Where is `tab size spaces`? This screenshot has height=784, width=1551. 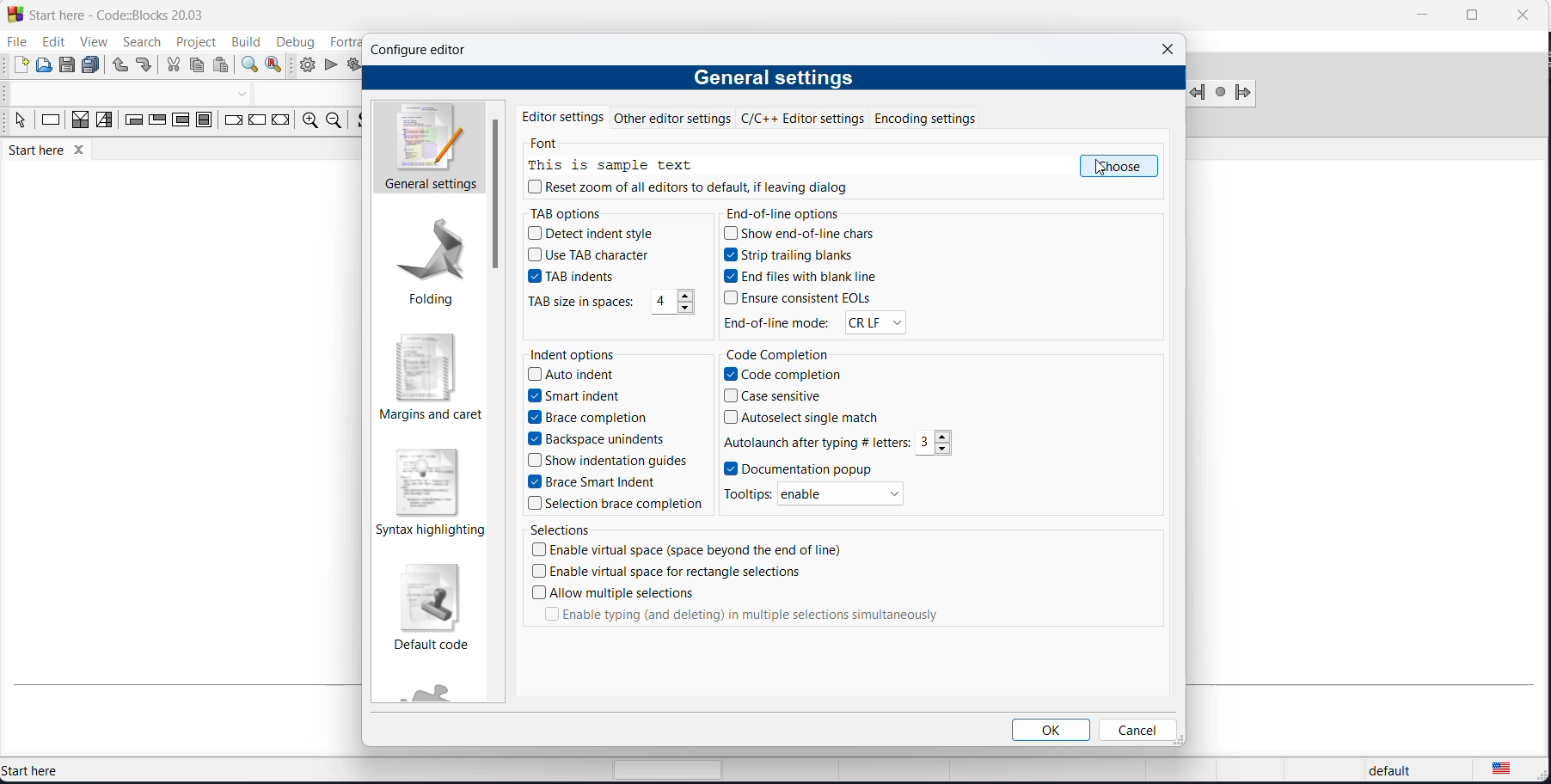
tab size spaces is located at coordinates (662, 303).